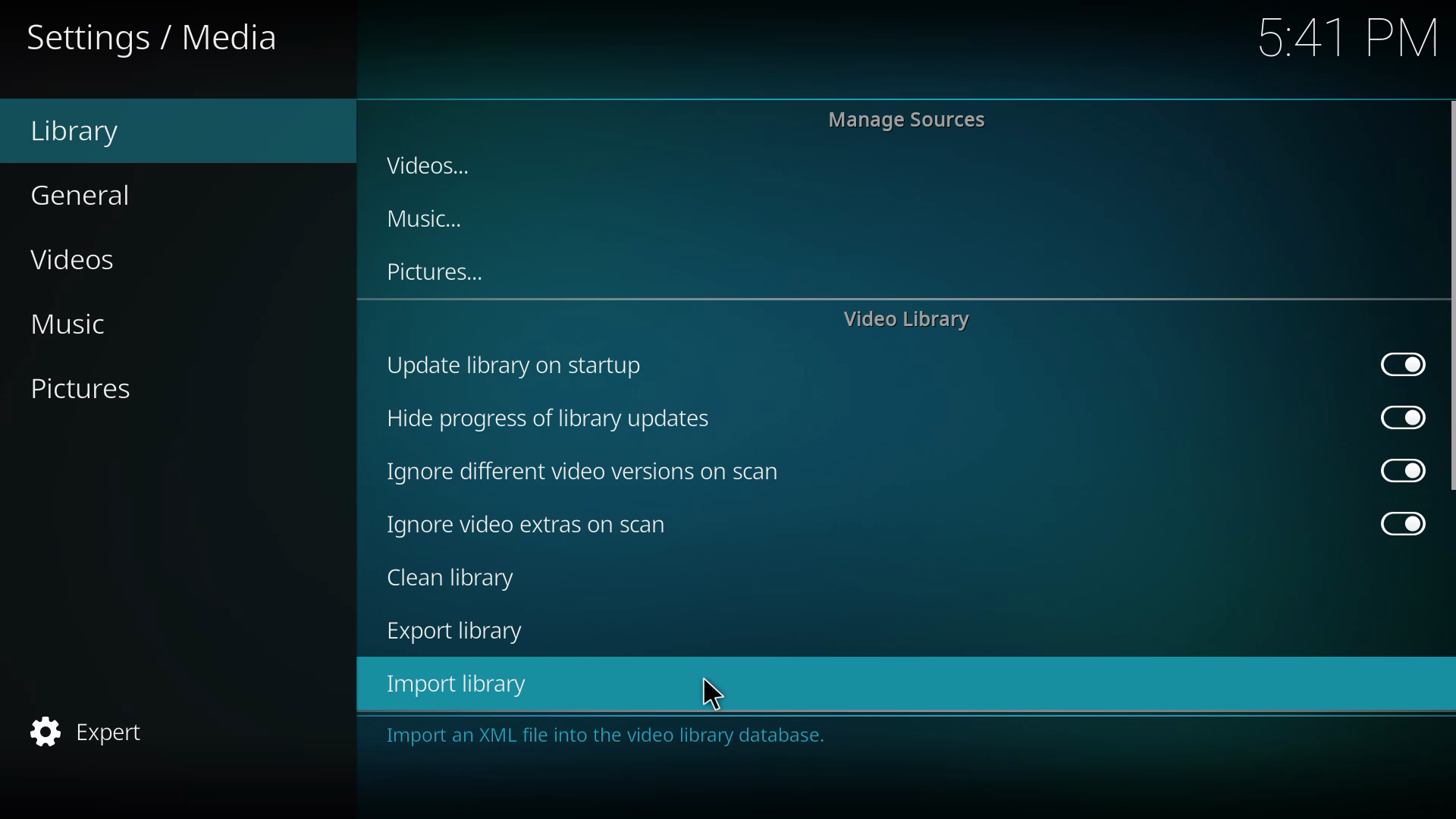 The image size is (1456, 819). Describe the element at coordinates (86, 731) in the screenshot. I see `expert` at that location.